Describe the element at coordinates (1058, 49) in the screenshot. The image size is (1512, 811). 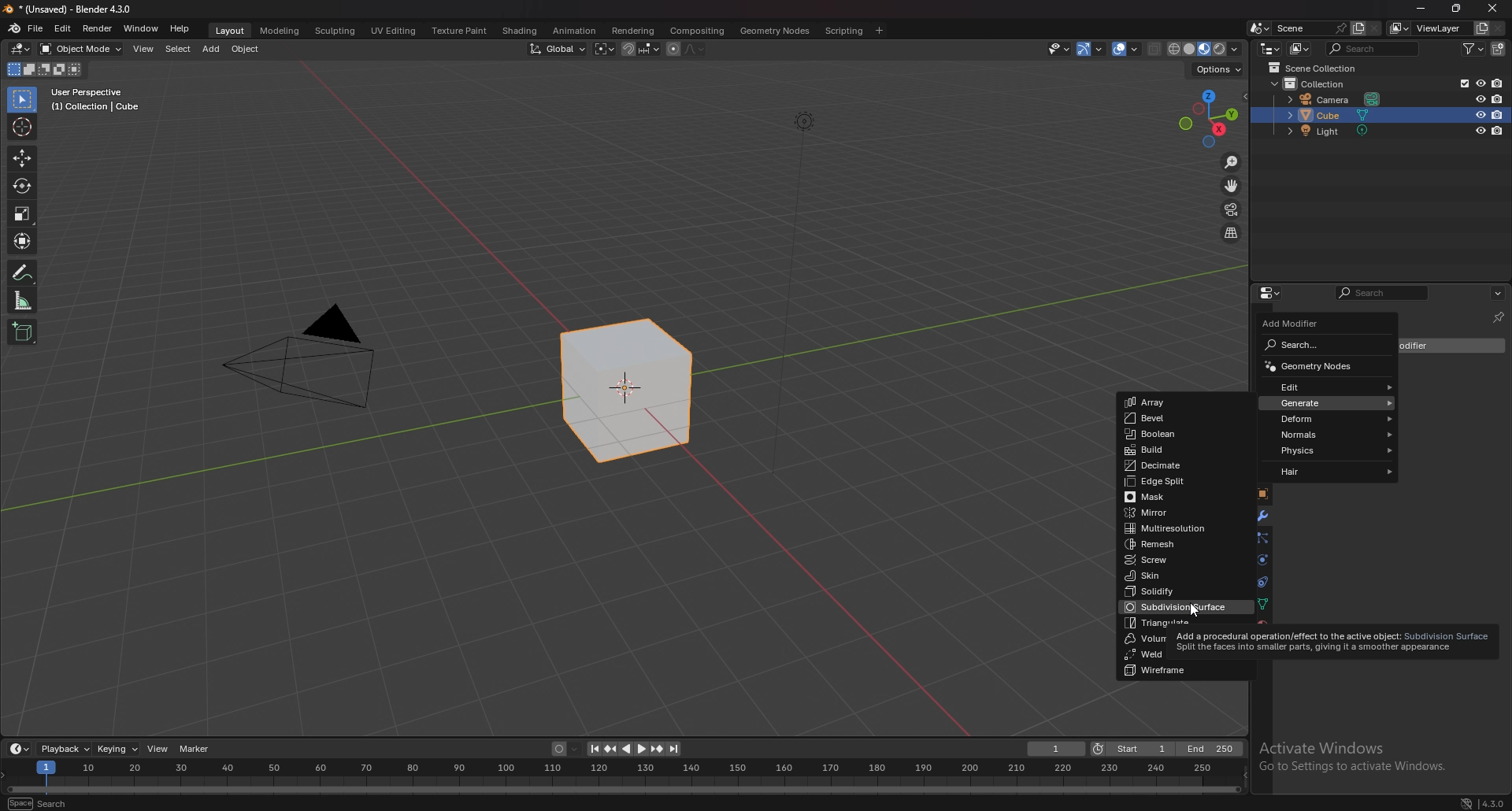
I see `visiblity and selectibility` at that location.